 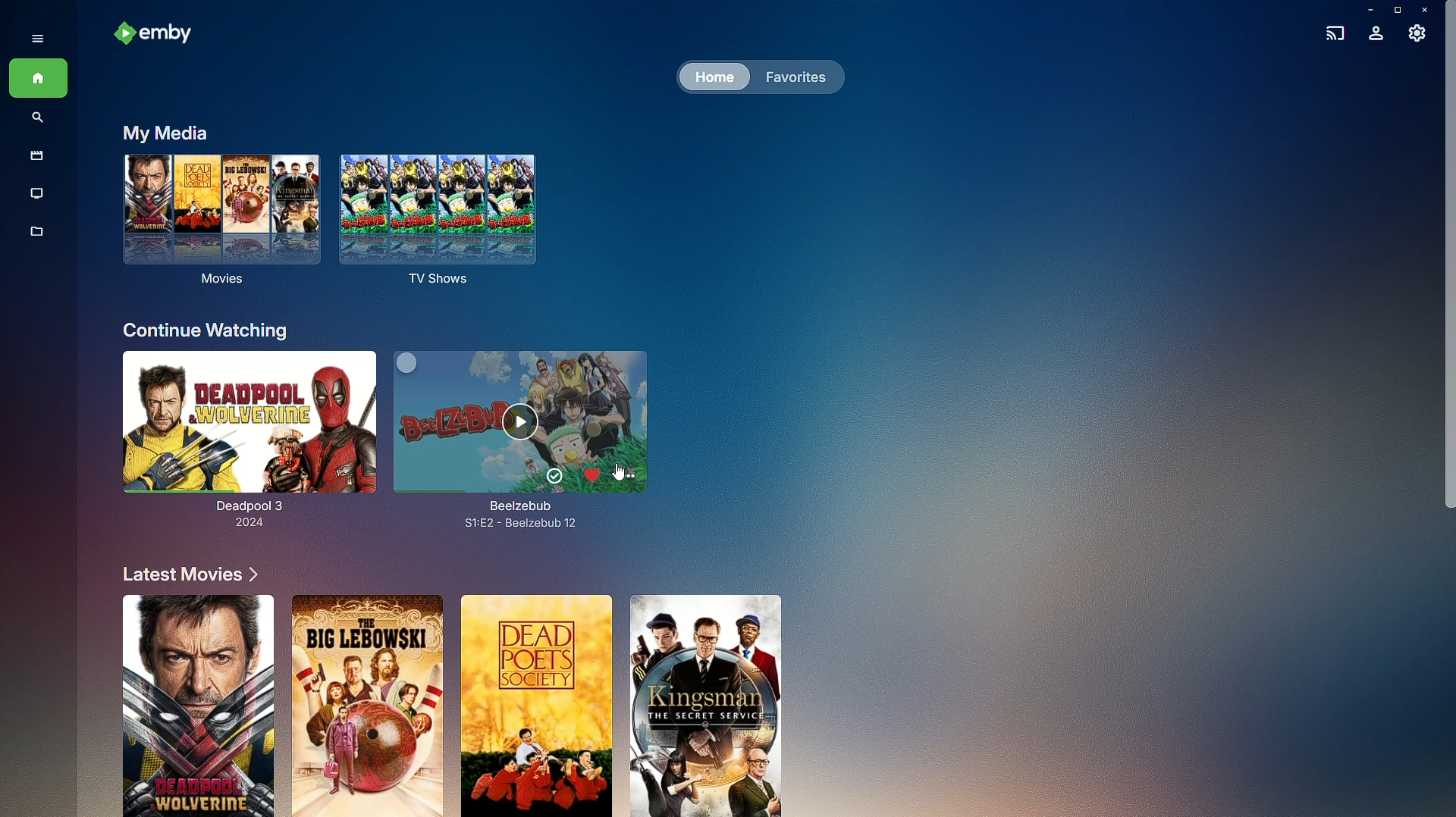 What do you see at coordinates (444, 221) in the screenshot?
I see `TV Shows` at bounding box center [444, 221].